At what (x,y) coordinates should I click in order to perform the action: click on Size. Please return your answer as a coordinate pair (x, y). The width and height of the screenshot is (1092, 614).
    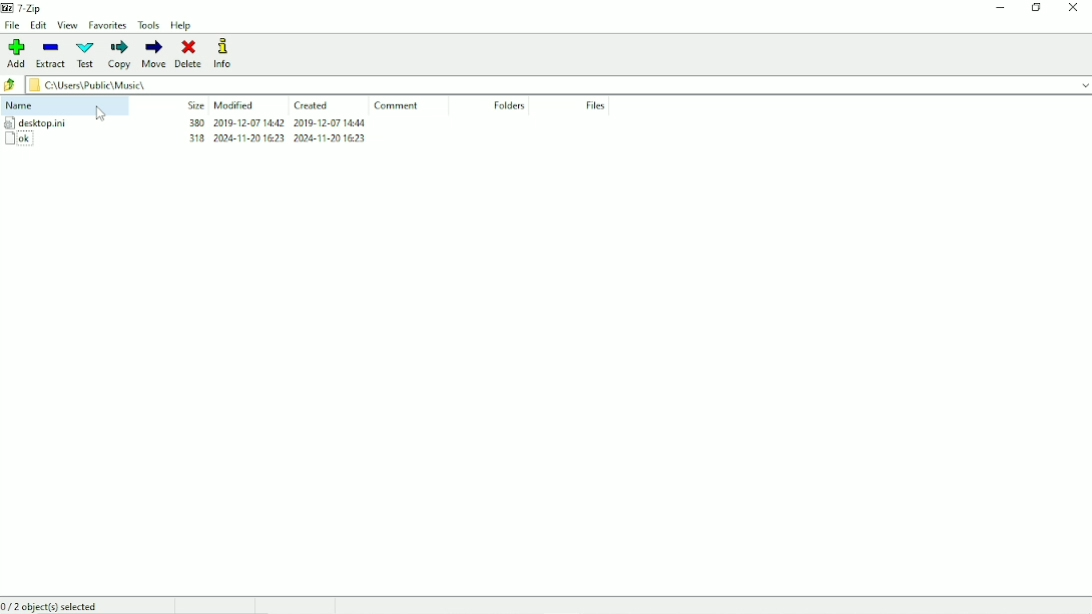
    Looking at the image, I should click on (194, 105).